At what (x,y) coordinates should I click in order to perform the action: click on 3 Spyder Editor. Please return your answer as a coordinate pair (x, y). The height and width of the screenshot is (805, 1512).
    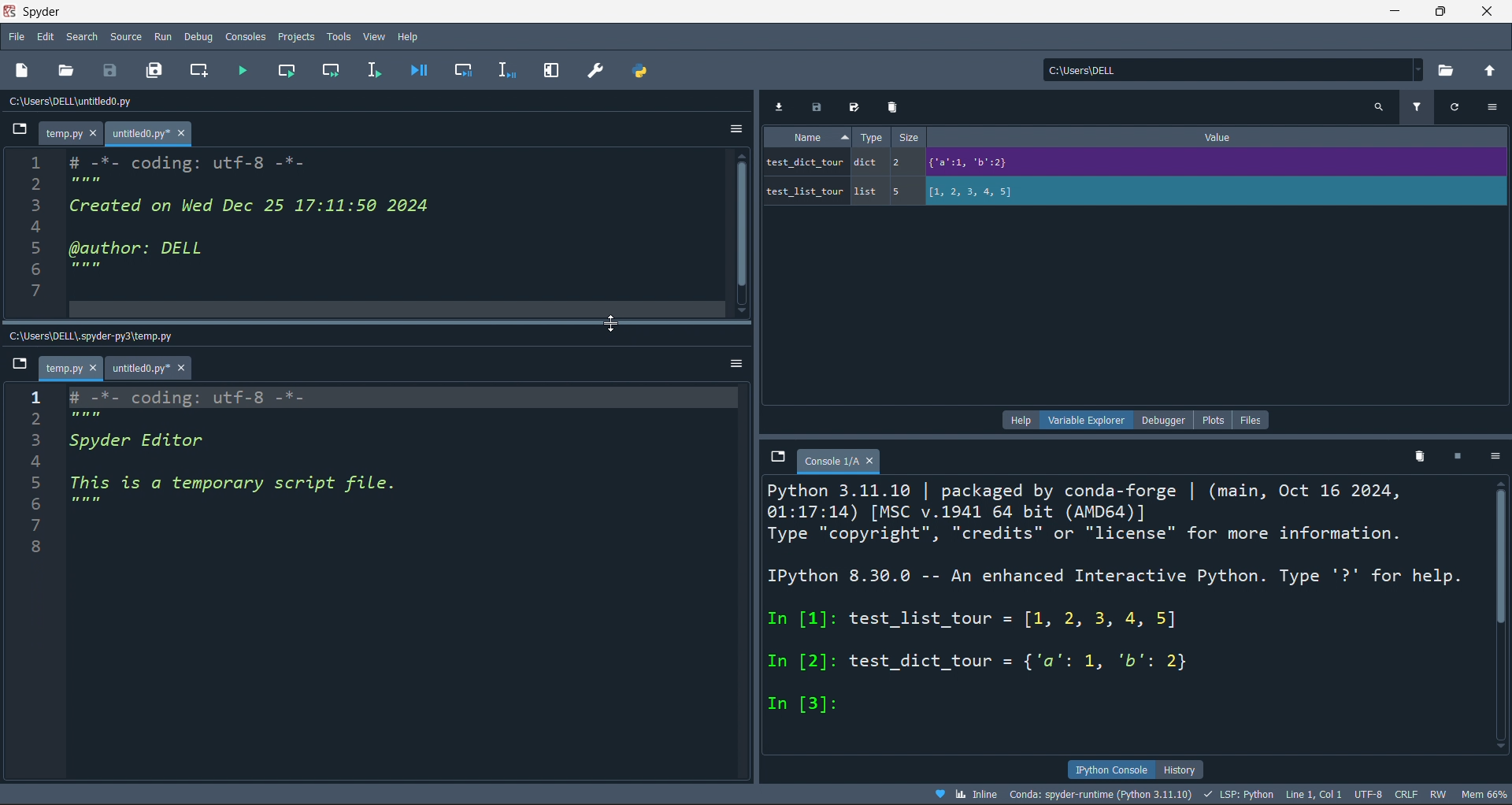
    Looking at the image, I should click on (130, 442).